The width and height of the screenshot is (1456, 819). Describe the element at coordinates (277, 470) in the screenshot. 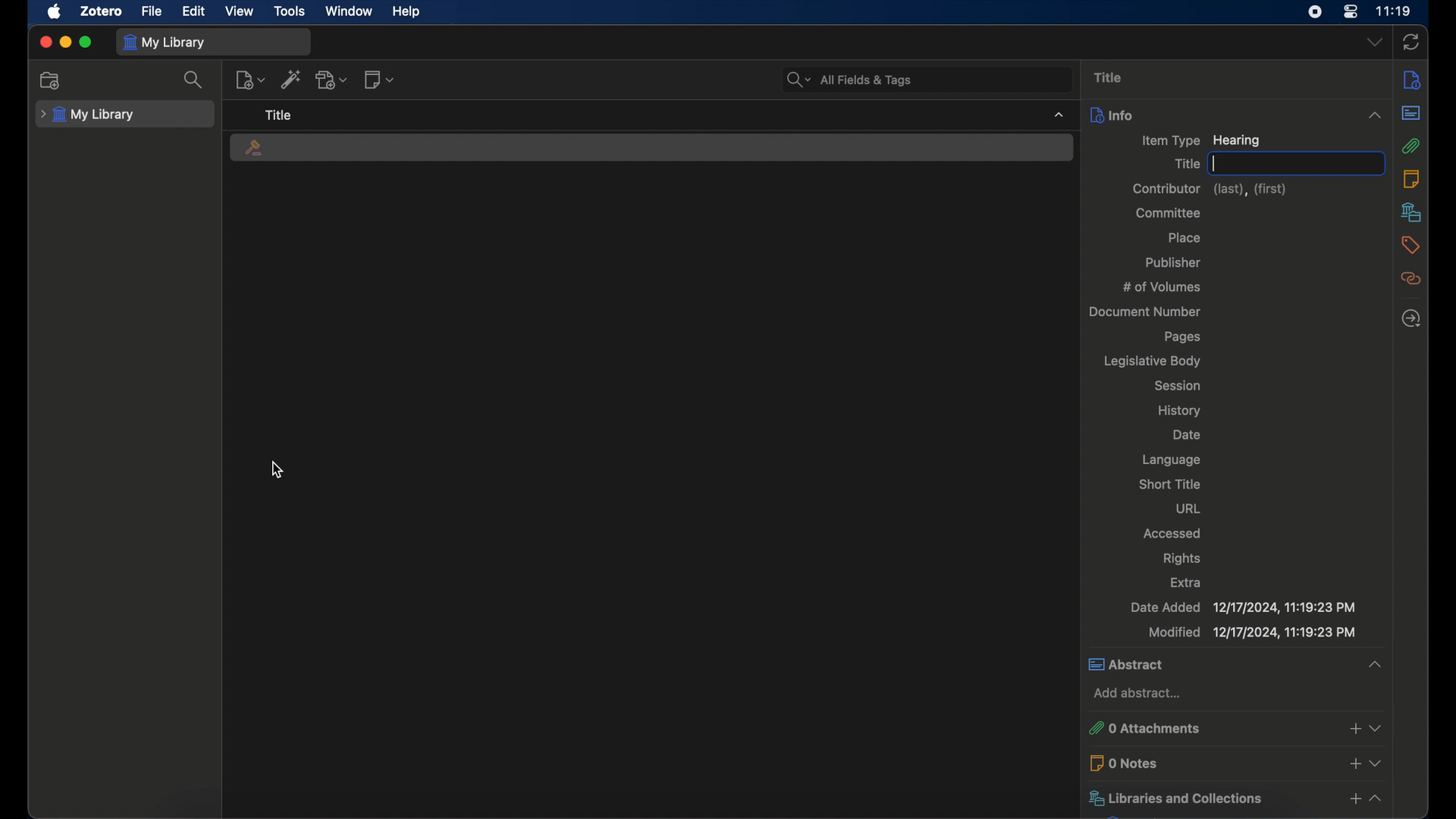

I see `cursor` at that location.